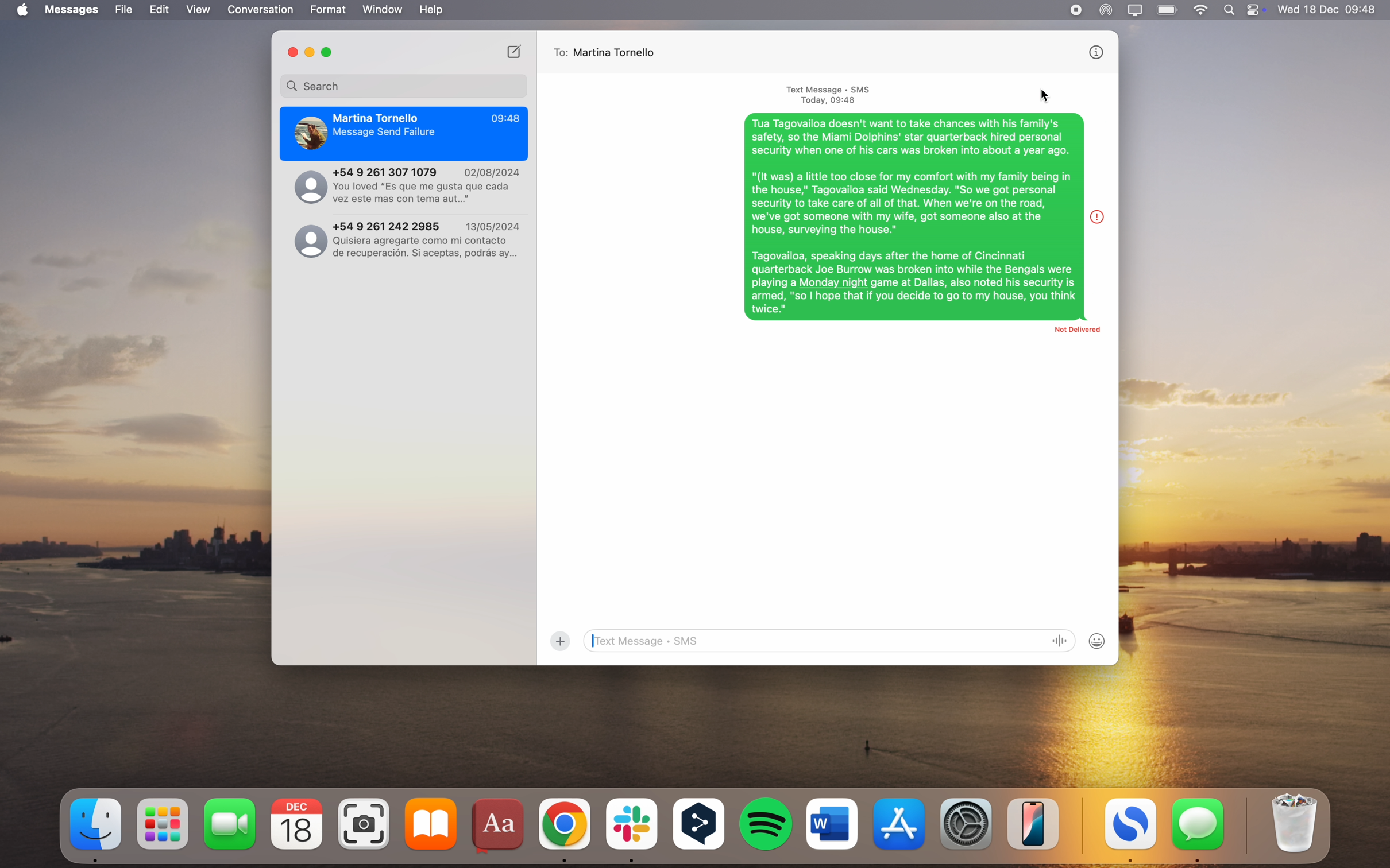 Image resolution: width=1390 pixels, height=868 pixels. I want to click on iBooks, so click(431, 824).